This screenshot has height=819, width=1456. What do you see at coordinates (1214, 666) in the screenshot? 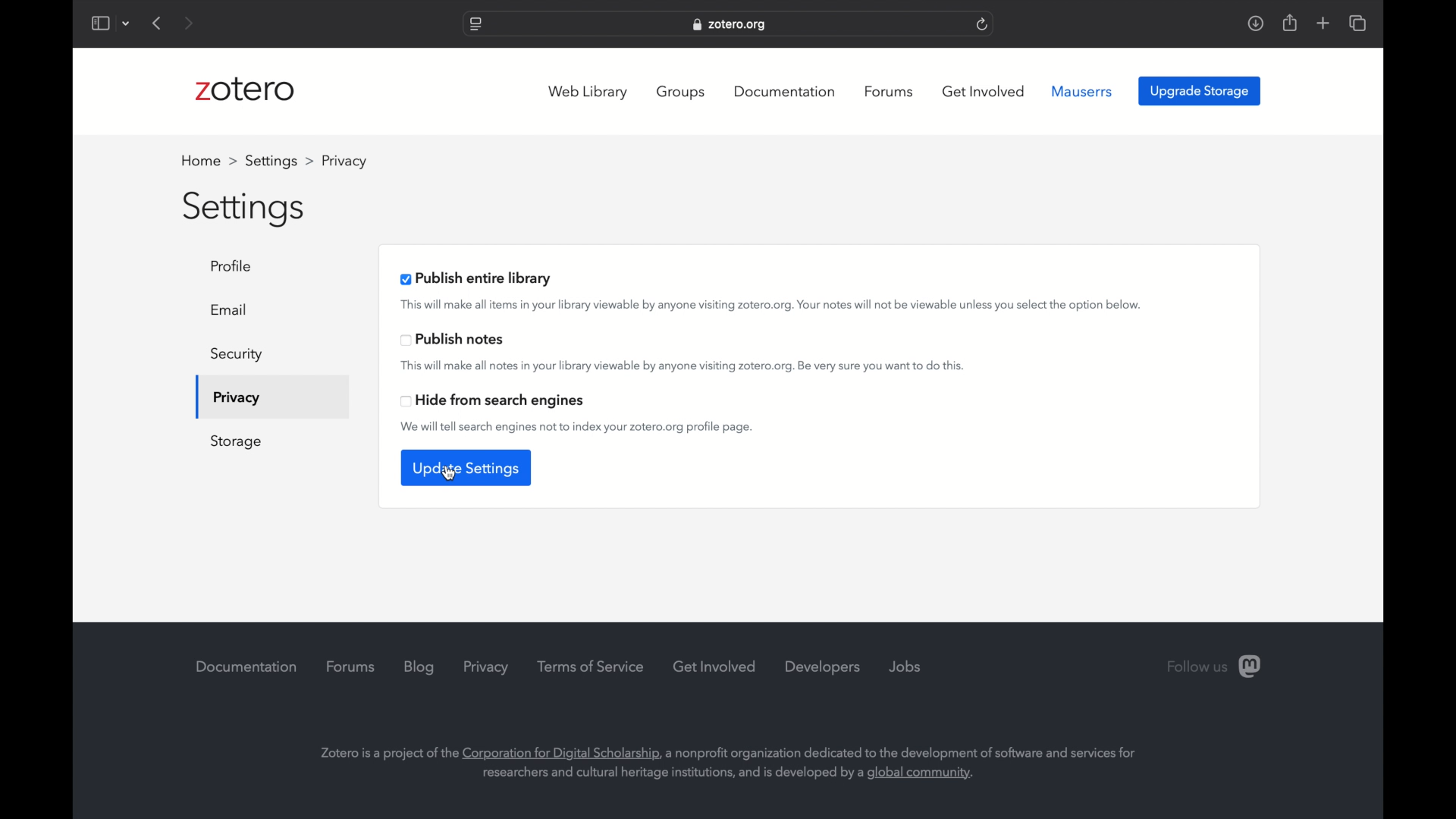
I see `follow us` at bounding box center [1214, 666].